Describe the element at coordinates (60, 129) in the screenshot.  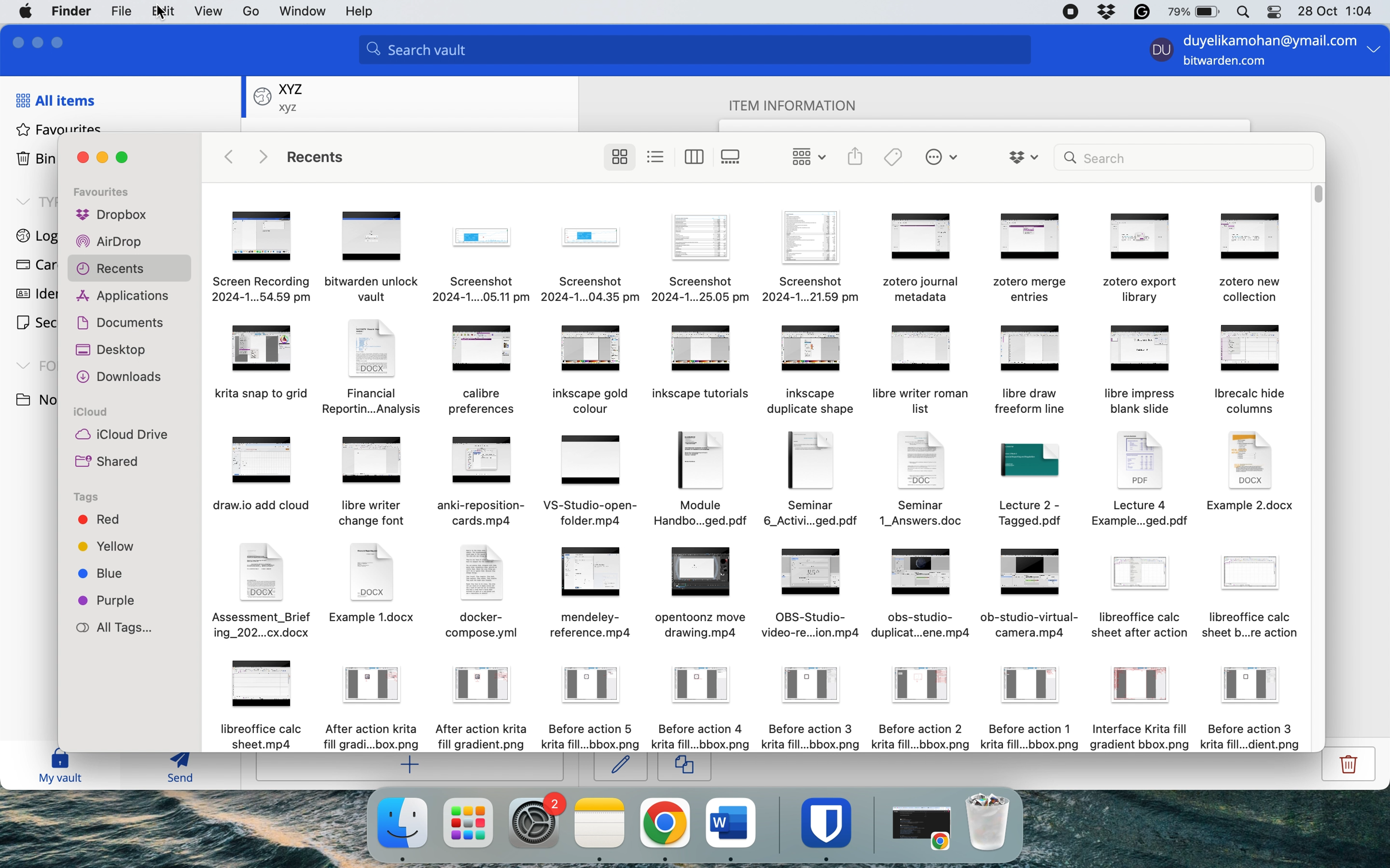
I see `favourites` at that location.